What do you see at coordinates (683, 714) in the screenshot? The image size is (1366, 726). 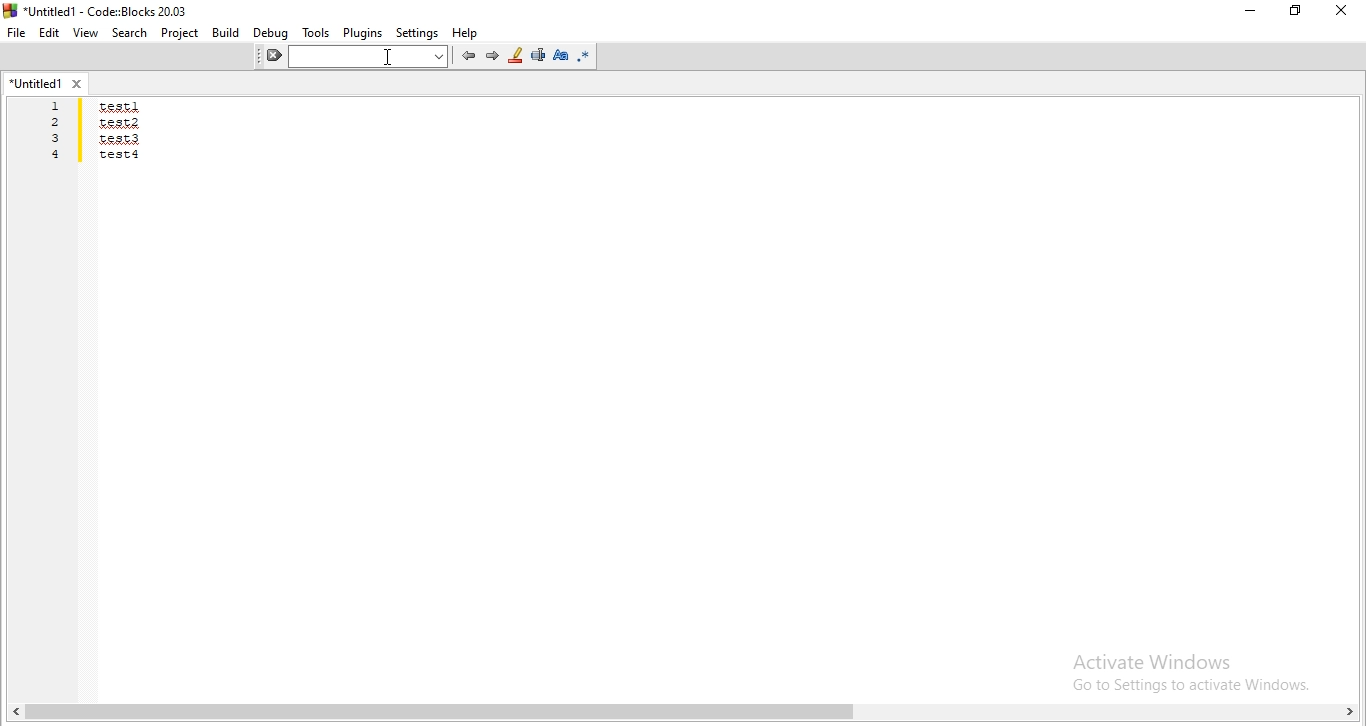 I see `scroll bar` at bounding box center [683, 714].